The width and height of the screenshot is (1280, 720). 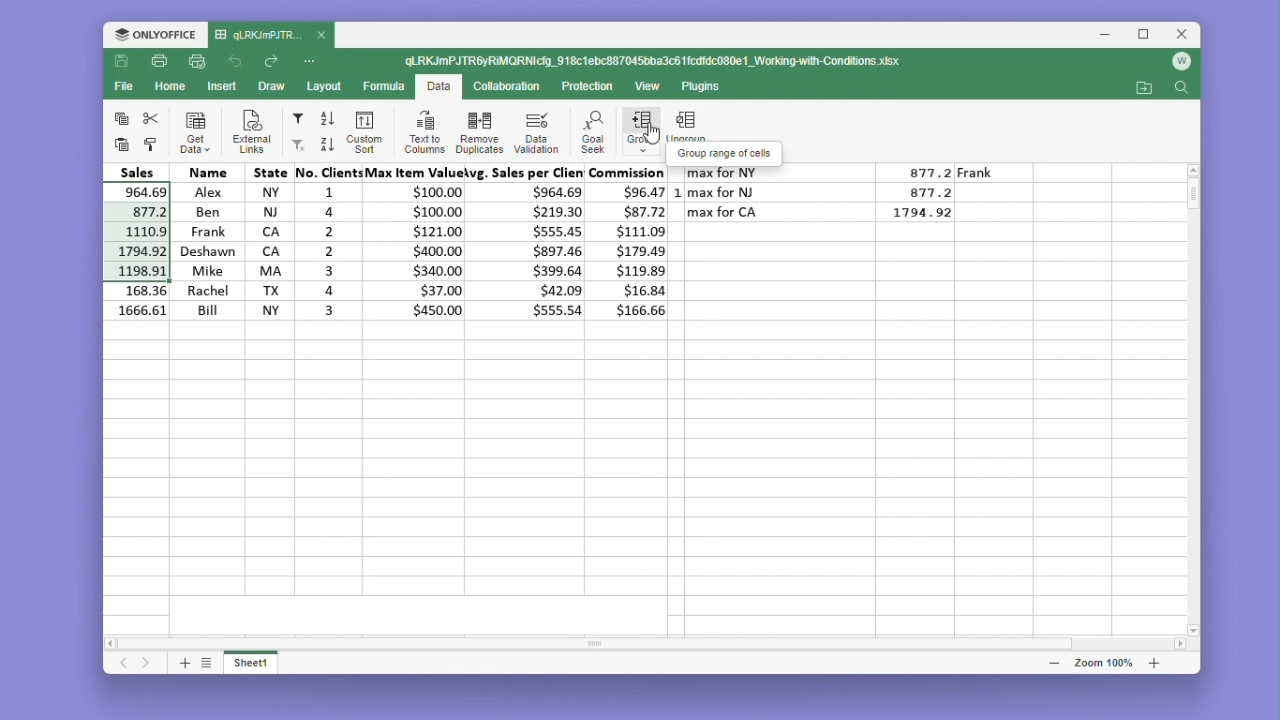 What do you see at coordinates (1111, 35) in the screenshot?
I see `Minimise ` at bounding box center [1111, 35].